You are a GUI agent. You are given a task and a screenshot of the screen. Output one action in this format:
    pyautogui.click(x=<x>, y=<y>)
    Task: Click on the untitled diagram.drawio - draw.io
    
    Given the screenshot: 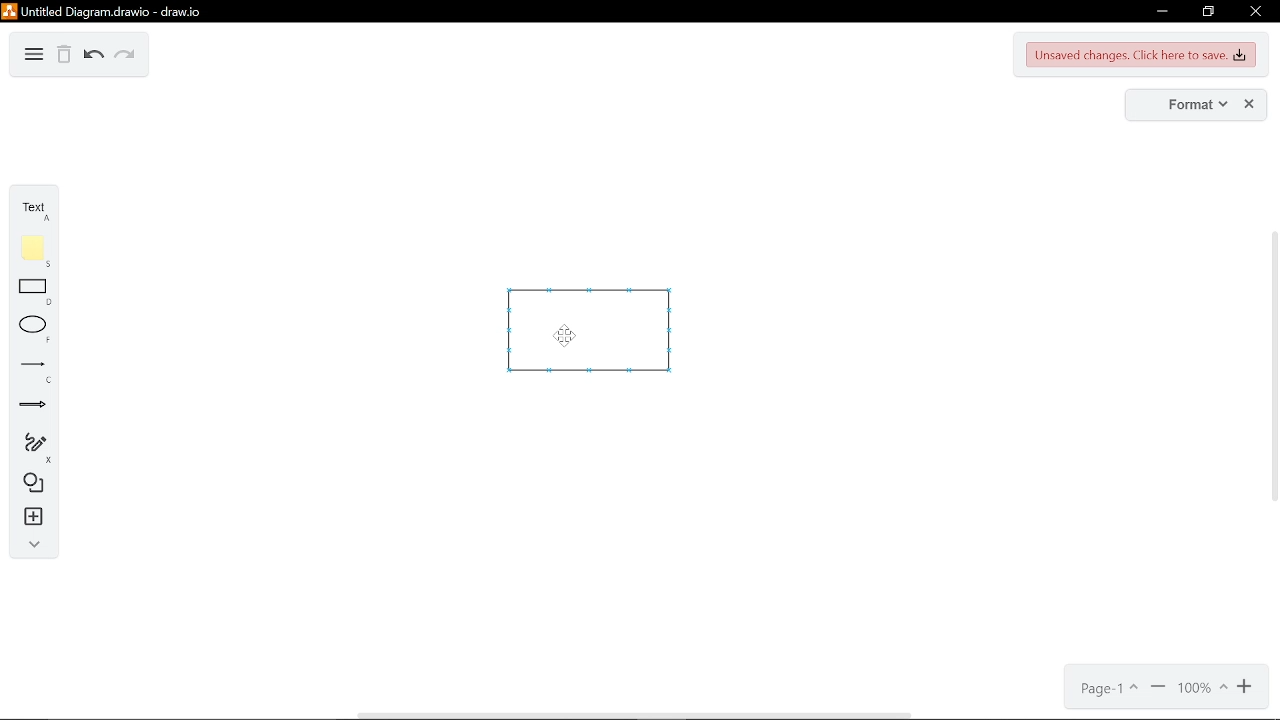 What is the action you would take?
    pyautogui.click(x=118, y=11)
    